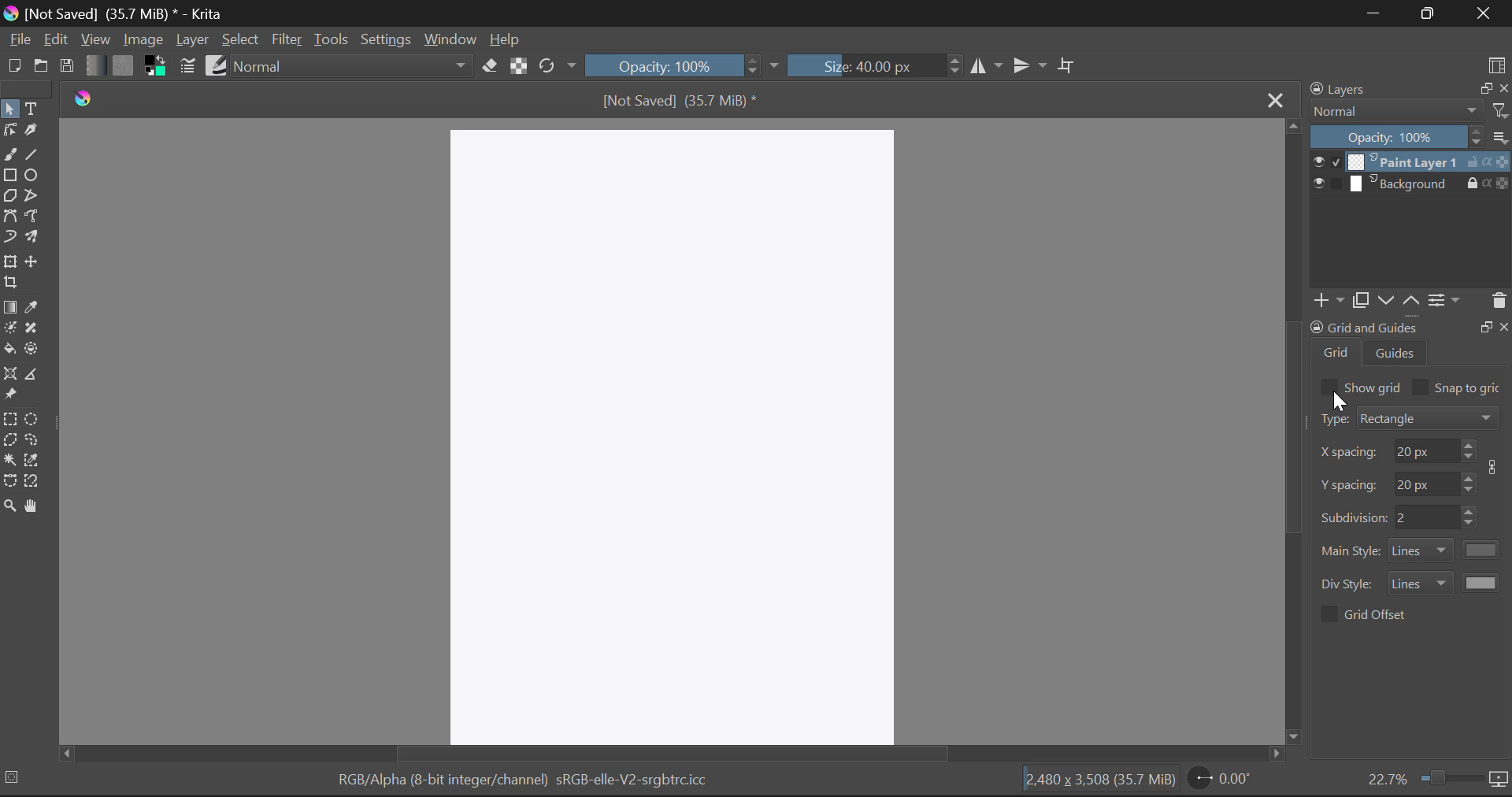 This screenshot has width=1512, height=797. I want to click on Vertical Mirror Flip, so click(987, 67).